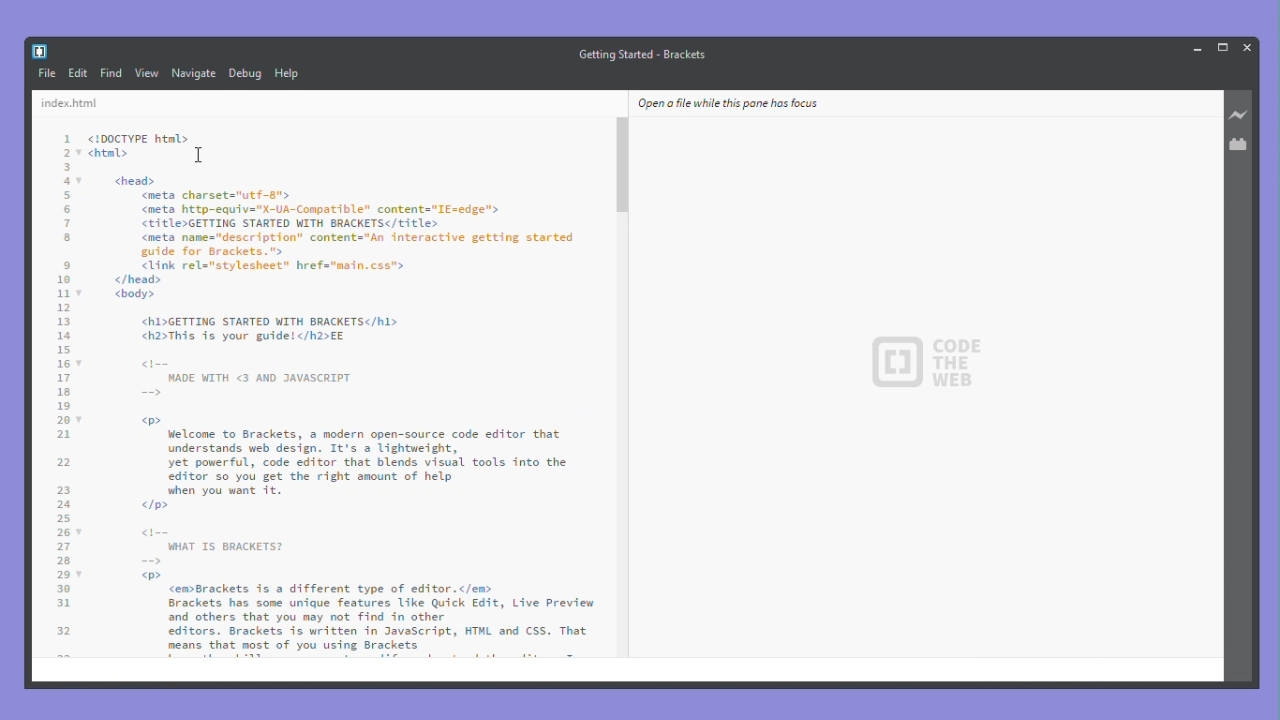 The image size is (1280, 720). I want to click on code fold, so click(81, 294).